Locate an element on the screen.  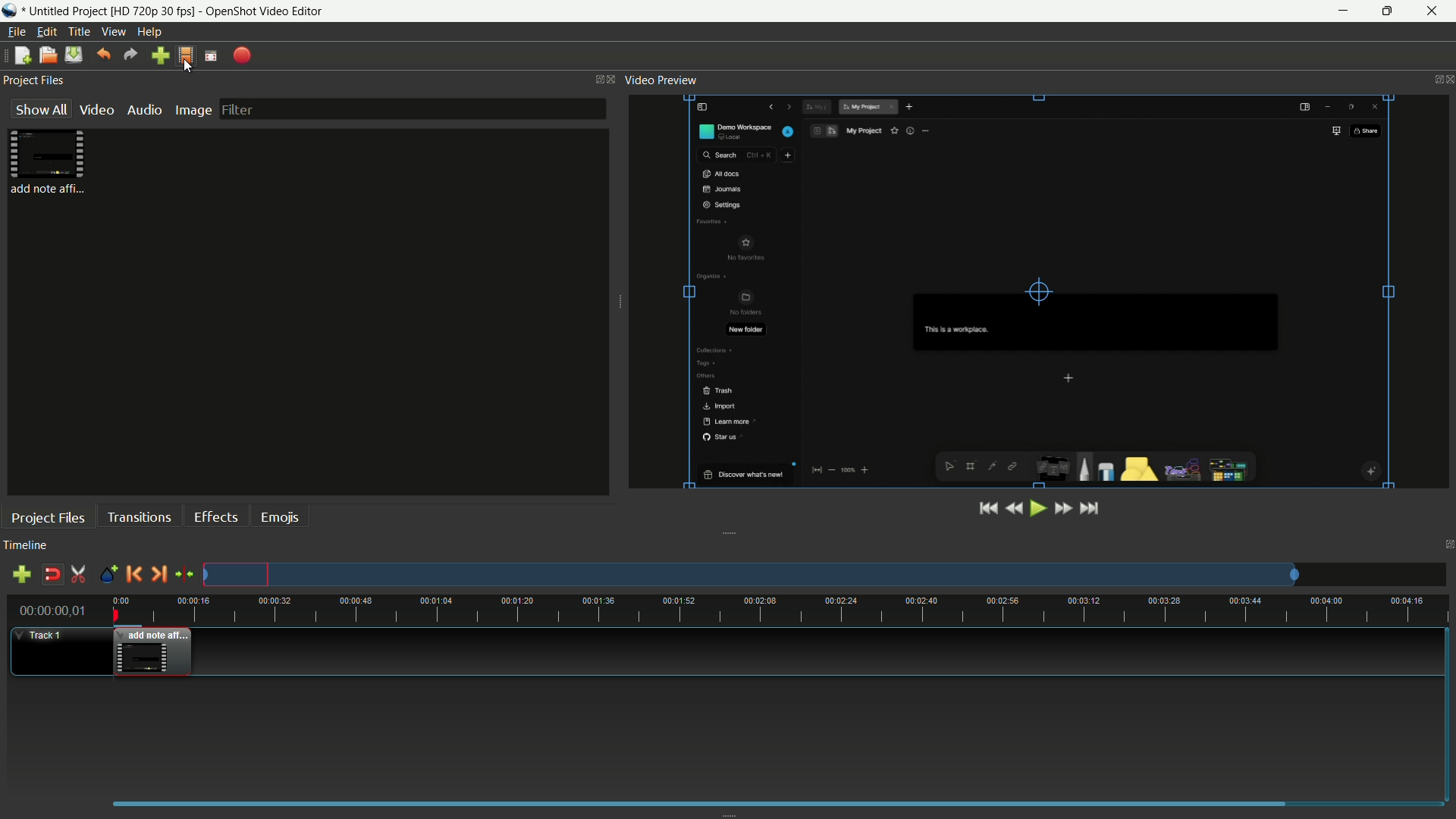
open file is located at coordinates (46, 56).